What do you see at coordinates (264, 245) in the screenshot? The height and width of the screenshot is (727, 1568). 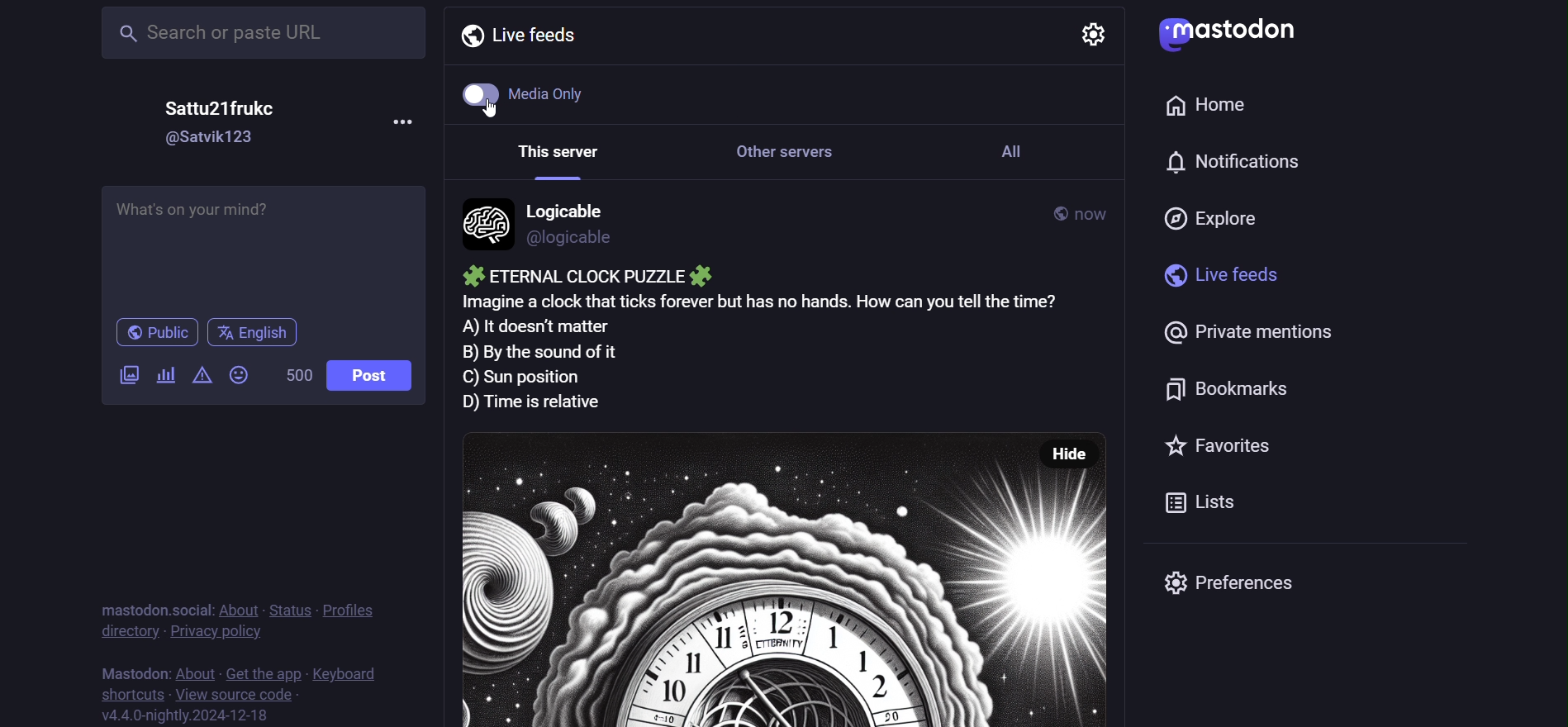 I see `What's on your mind?` at bounding box center [264, 245].